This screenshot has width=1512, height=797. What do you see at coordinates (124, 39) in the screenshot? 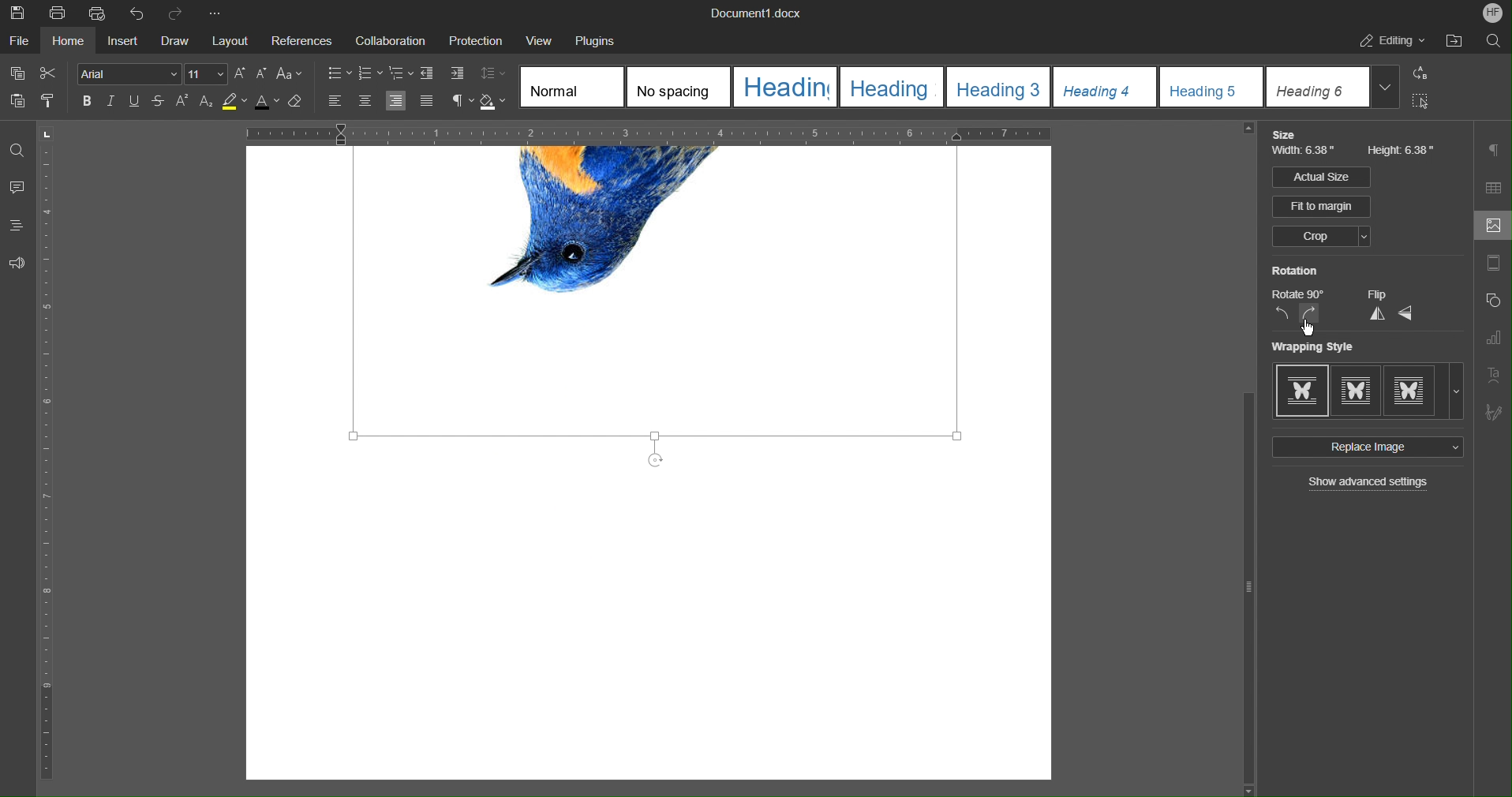
I see `Insert` at bounding box center [124, 39].